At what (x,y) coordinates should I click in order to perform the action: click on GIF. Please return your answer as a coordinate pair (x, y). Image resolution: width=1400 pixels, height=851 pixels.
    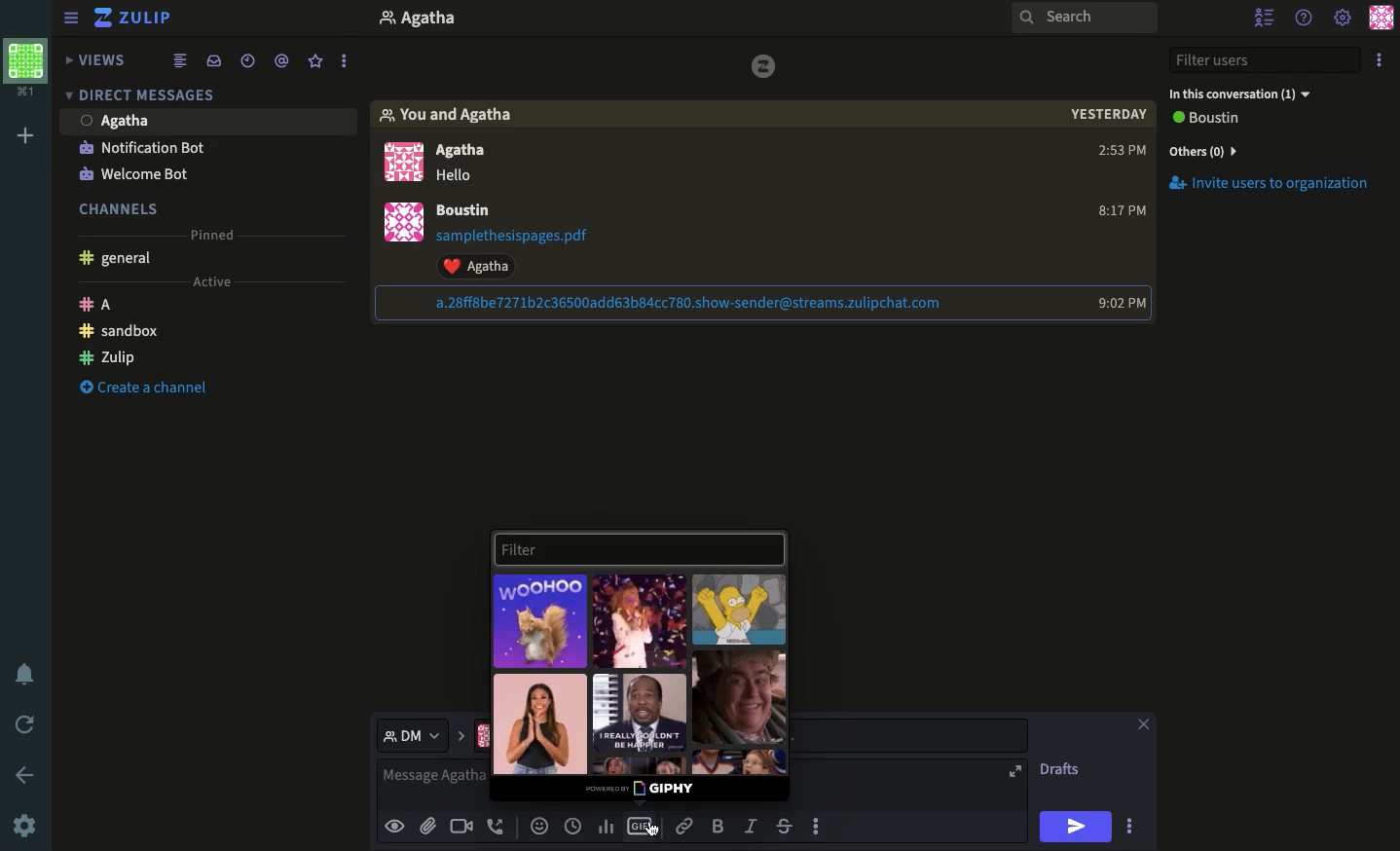
    Looking at the image, I should click on (740, 610).